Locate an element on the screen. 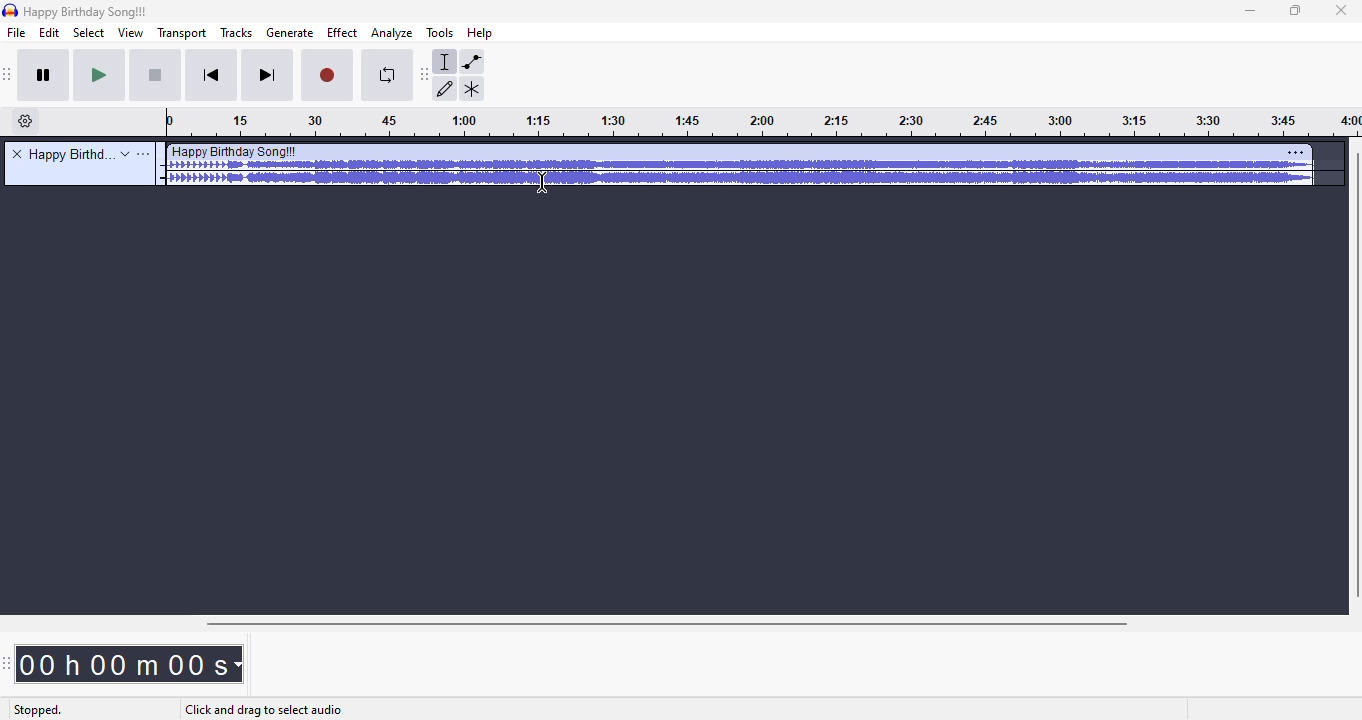  tools is located at coordinates (439, 33).